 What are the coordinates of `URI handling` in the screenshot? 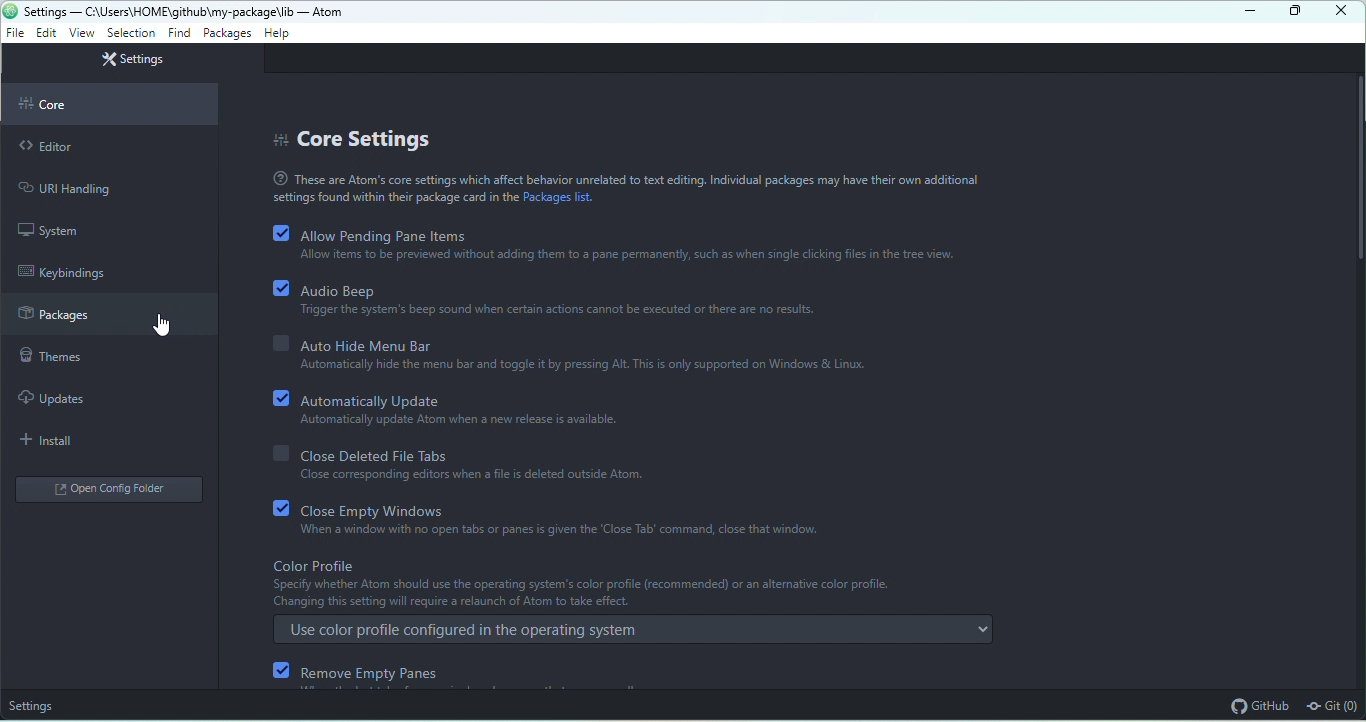 It's located at (102, 188).